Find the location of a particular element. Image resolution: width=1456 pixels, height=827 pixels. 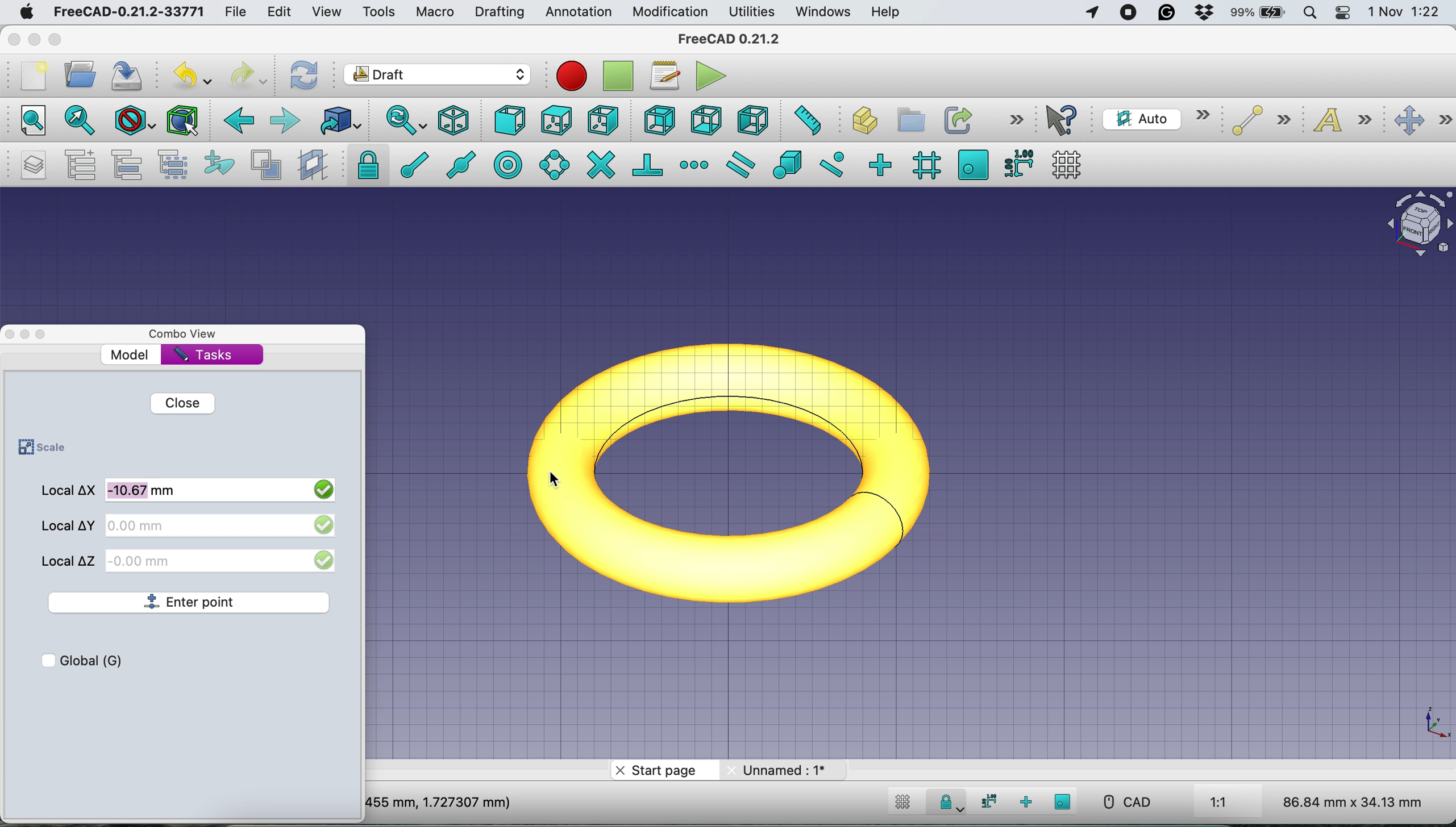

bottom is located at coordinates (708, 119).